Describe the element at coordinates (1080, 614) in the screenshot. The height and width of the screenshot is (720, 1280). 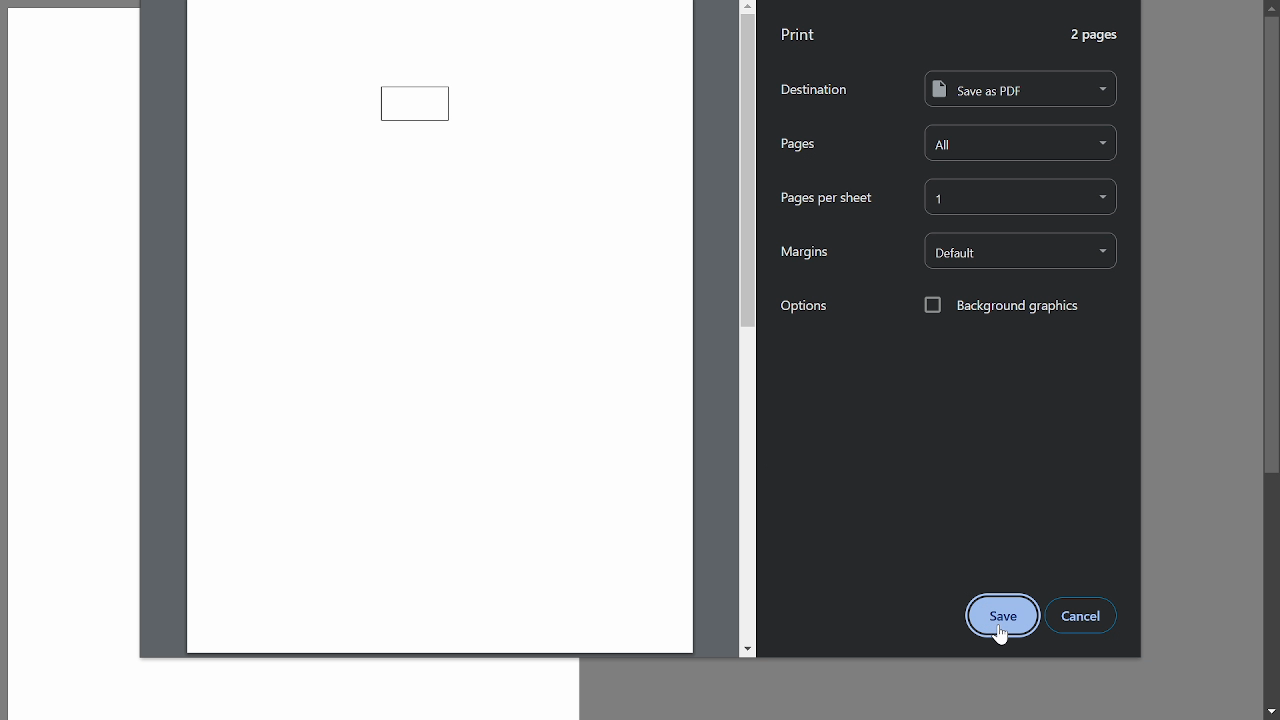
I see `cancel` at that location.